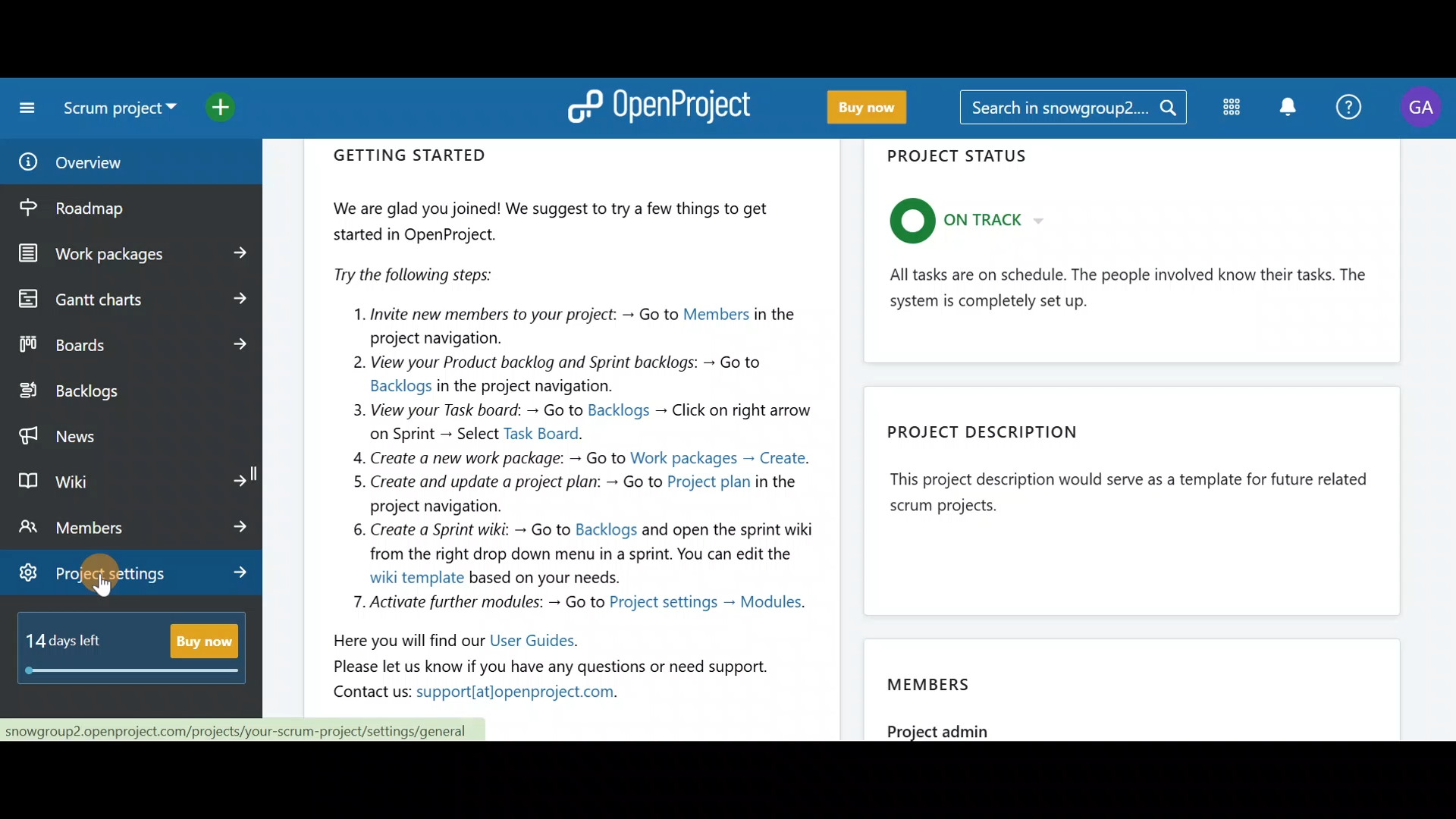  Describe the element at coordinates (1072, 110) in the screenshot. I see `Search bar` at that location.